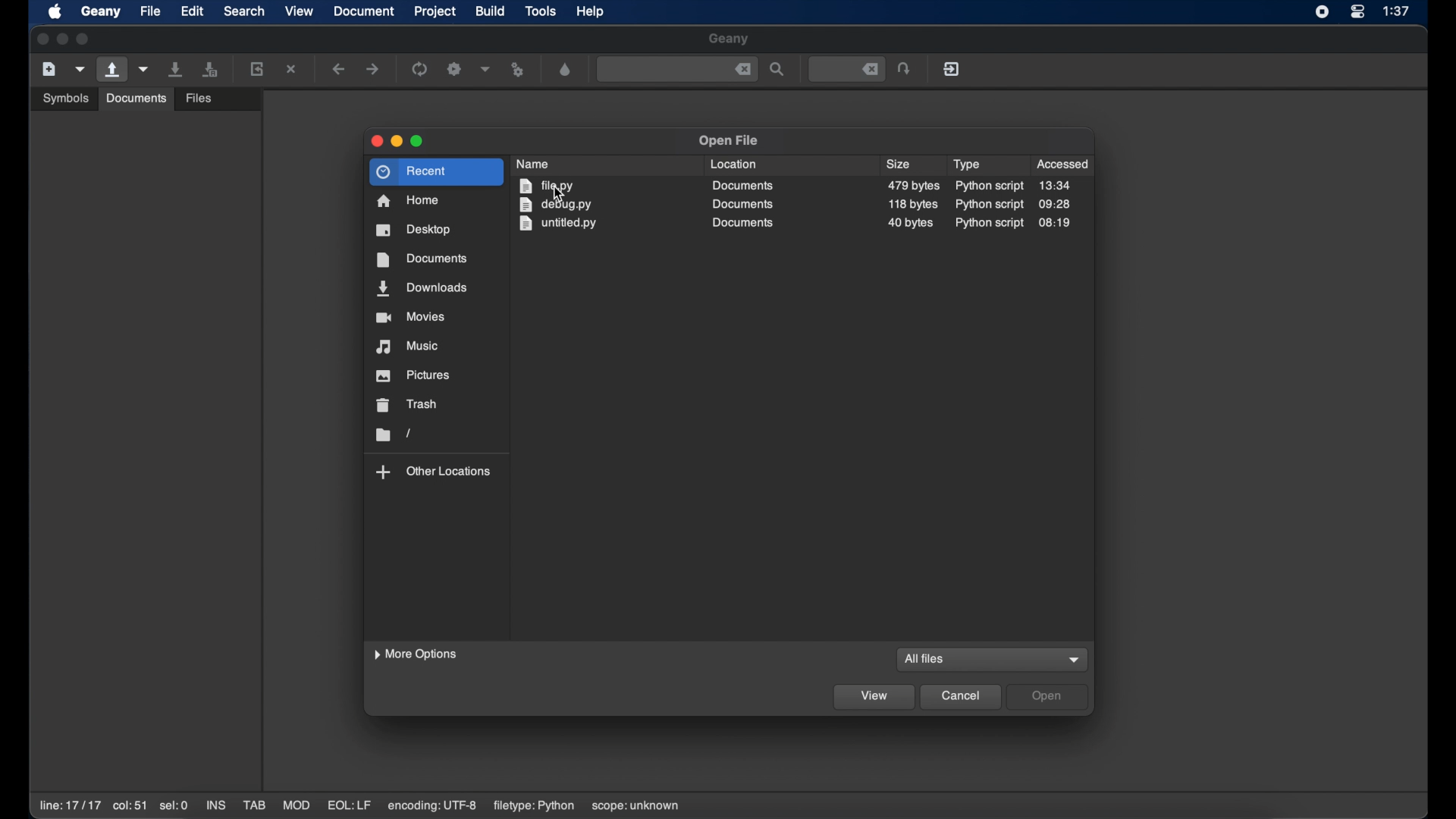  I want to click on col:51, so click(130, 807).